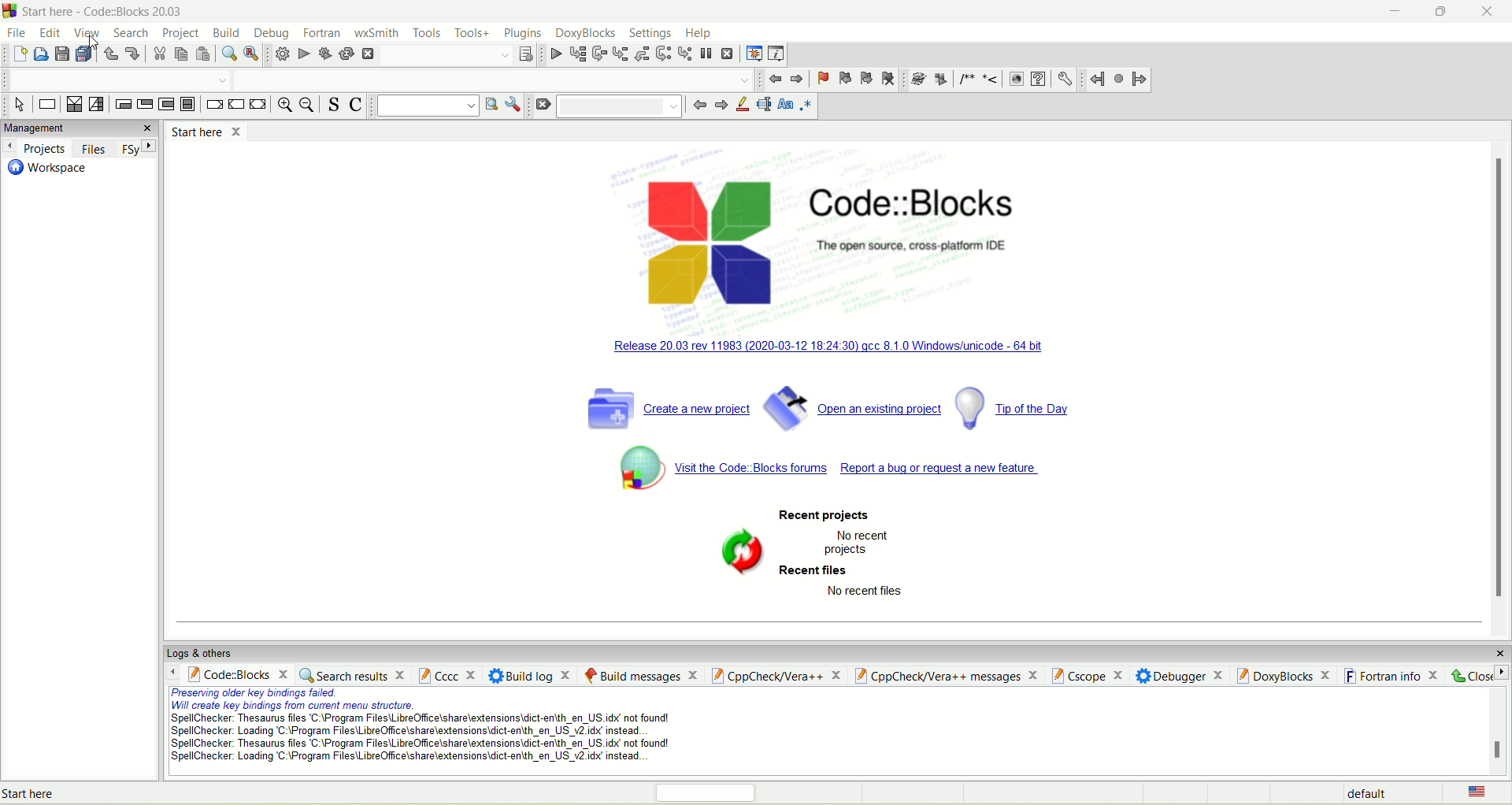 The height and width of the screenshot is (805, 1512). What do you see at coordinates (945, 469) in the screenshot?
I see `Report a bug or request a new feature` at bounding box center [945, 469].